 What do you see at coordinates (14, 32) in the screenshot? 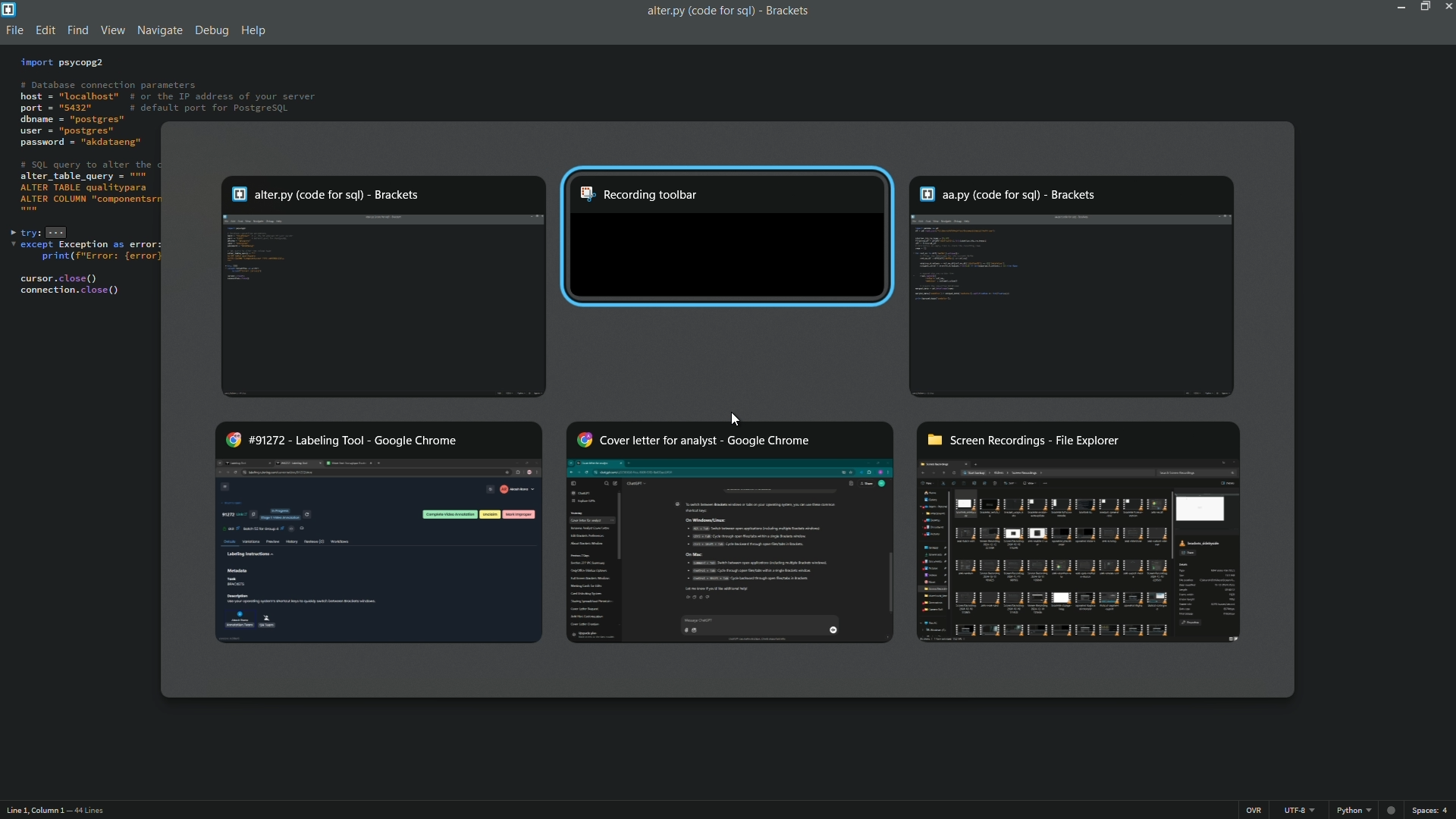
I see `file menu` at bounding box center [14, 32].